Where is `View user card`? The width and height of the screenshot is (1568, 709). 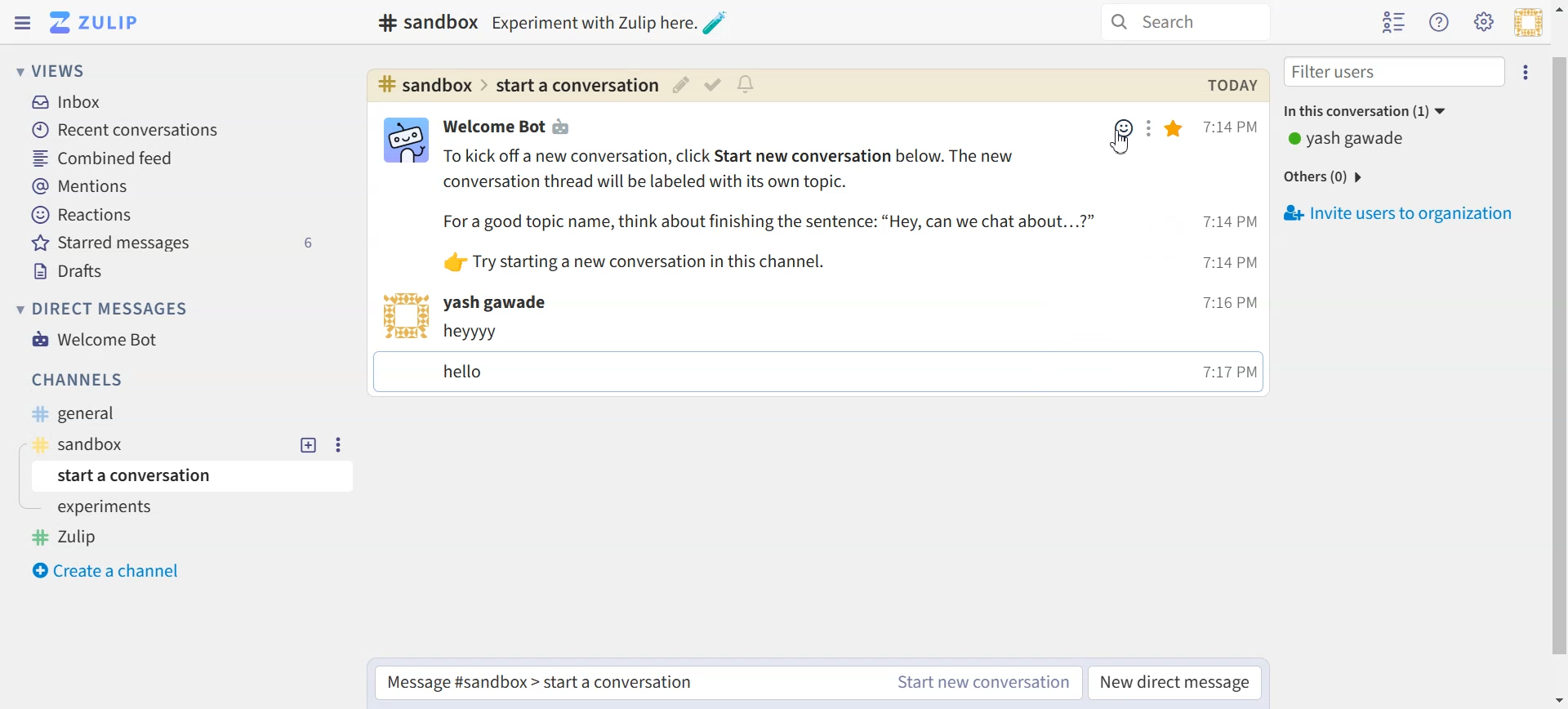
View user card is located at coordinates (404, 315).